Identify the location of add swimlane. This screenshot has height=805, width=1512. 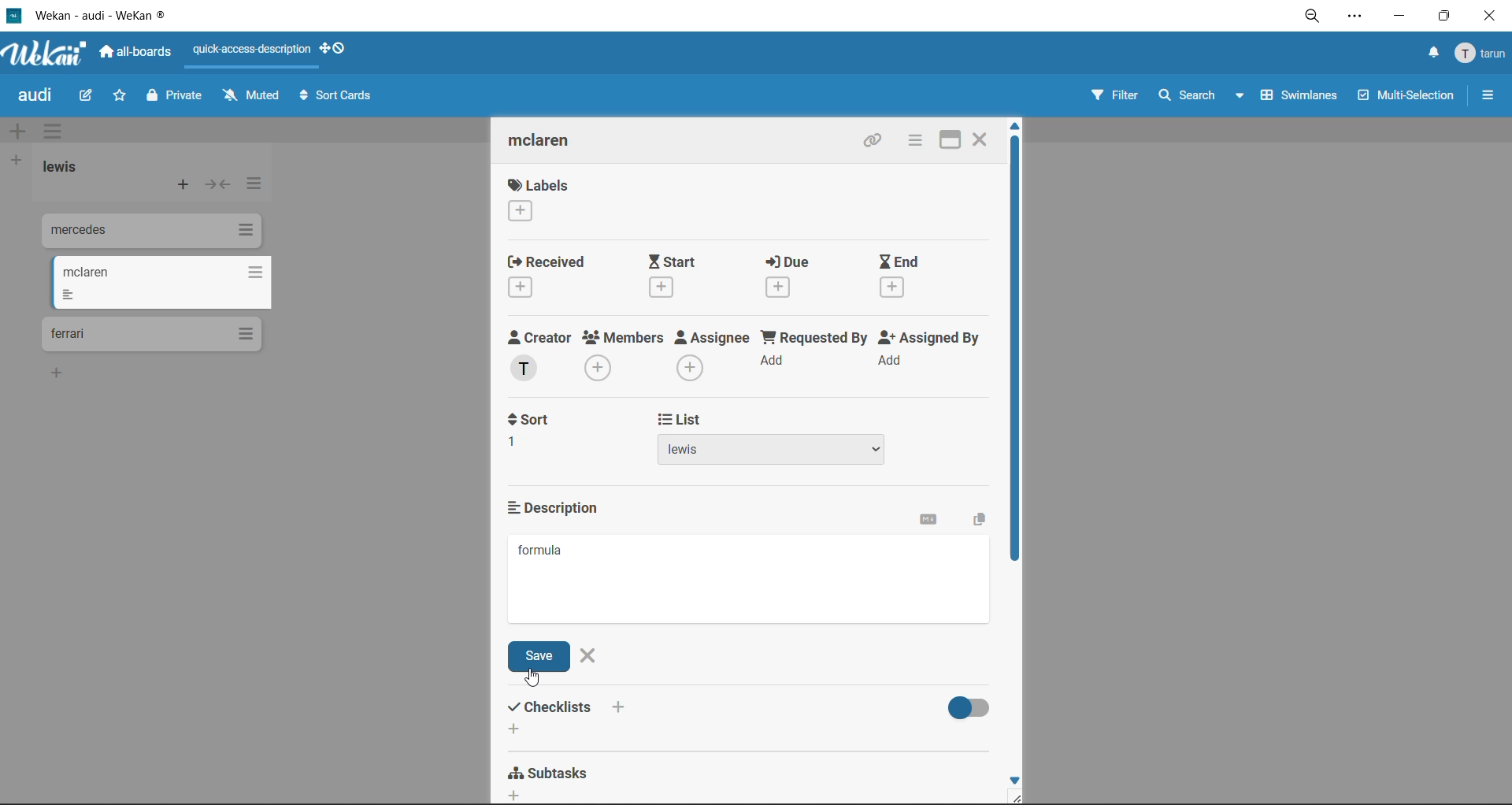
(21, 132).